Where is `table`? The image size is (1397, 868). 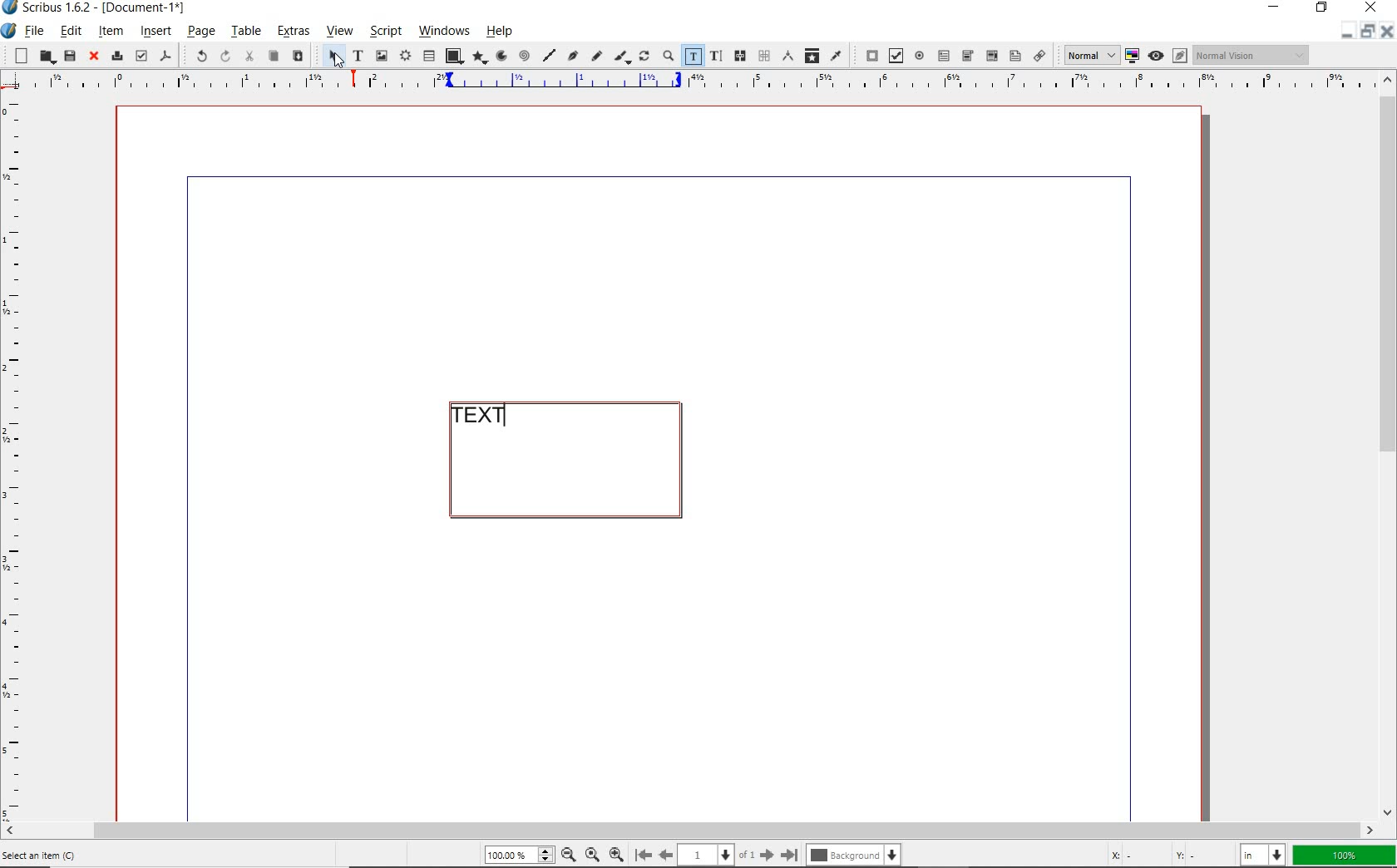 table is located at coordinates (246, 32).